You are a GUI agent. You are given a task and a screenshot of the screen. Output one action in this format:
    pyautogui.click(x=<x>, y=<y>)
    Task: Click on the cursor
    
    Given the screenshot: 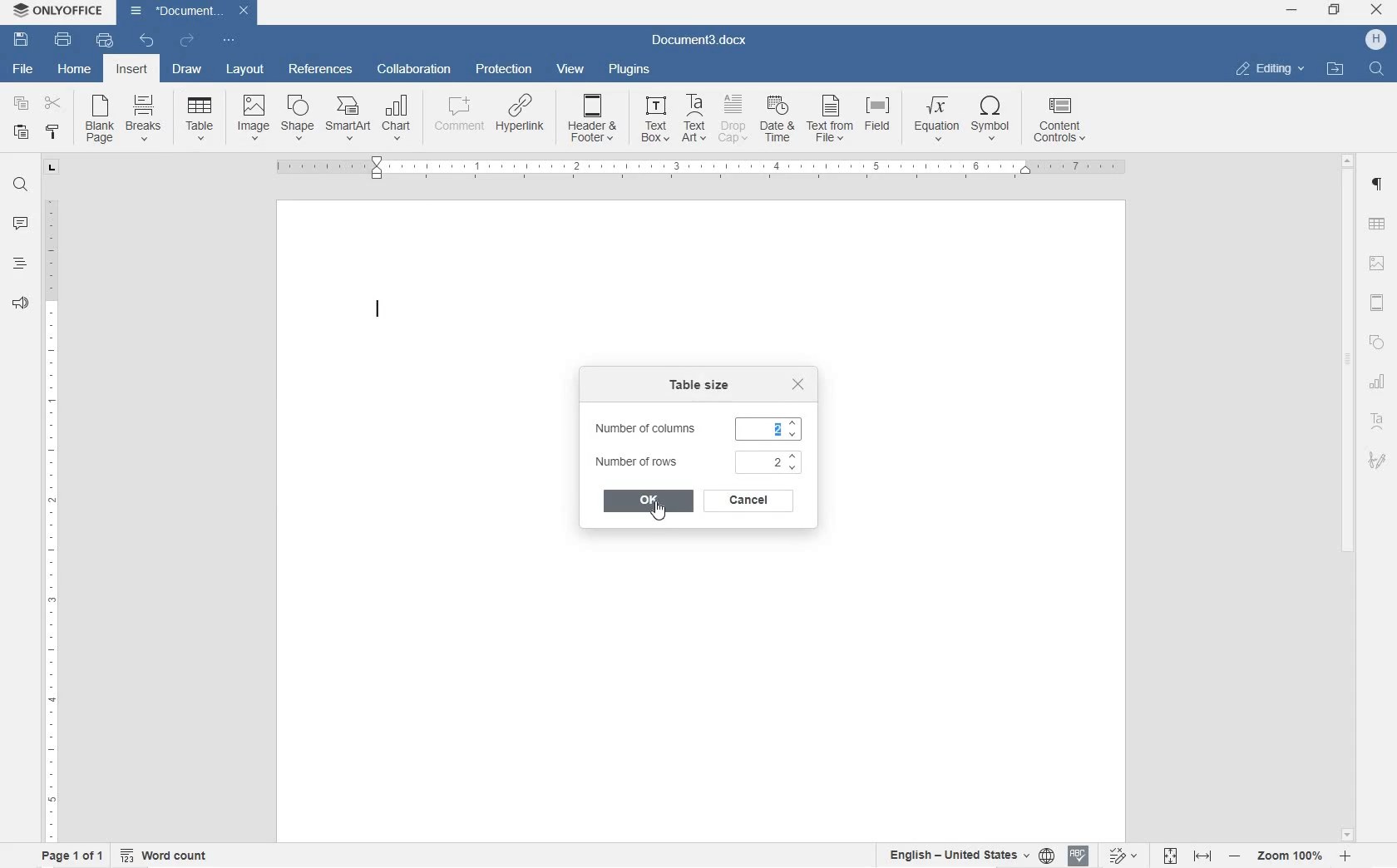 What is the action you would take?
    pyautogui.click(x=658, y=511)
    